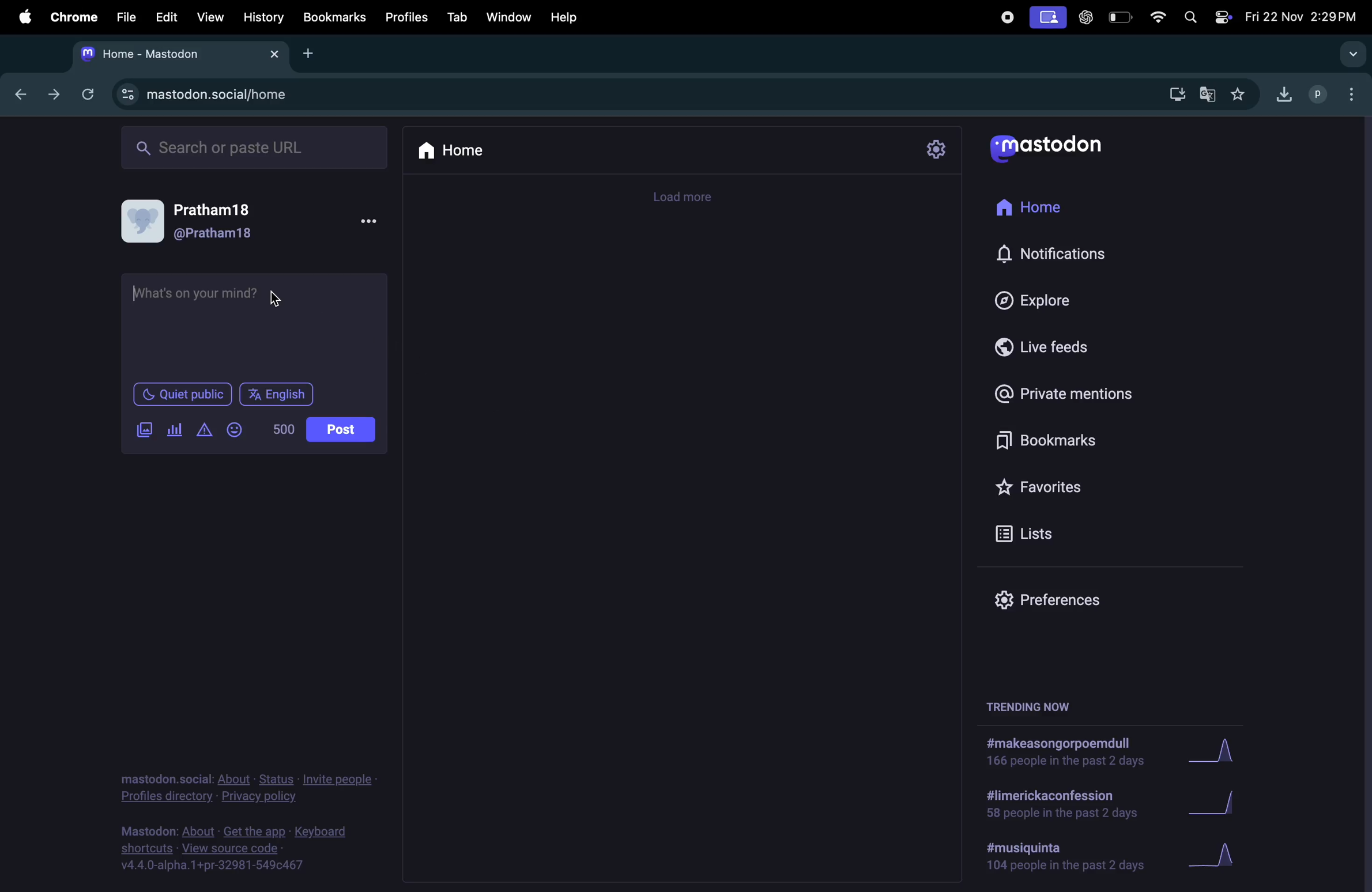 Image resolution: width=1372 pixels, height=892 pixels. What do you see at coordinates (263, 16) in the screenshot?
I see `history` at bounding box center [263, 16].